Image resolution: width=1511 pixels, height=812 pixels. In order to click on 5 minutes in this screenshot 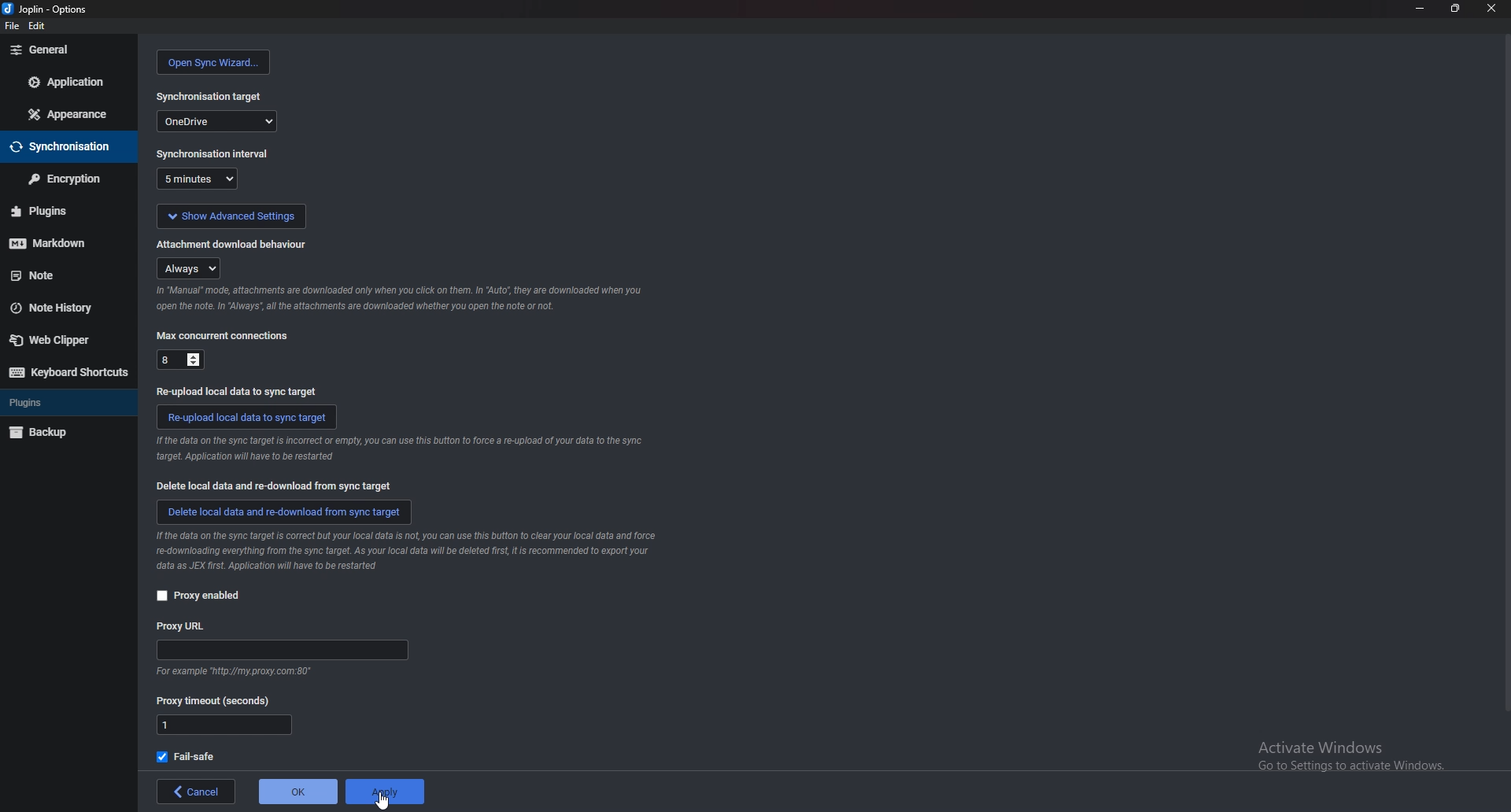, I will do `click(200, 179)`.